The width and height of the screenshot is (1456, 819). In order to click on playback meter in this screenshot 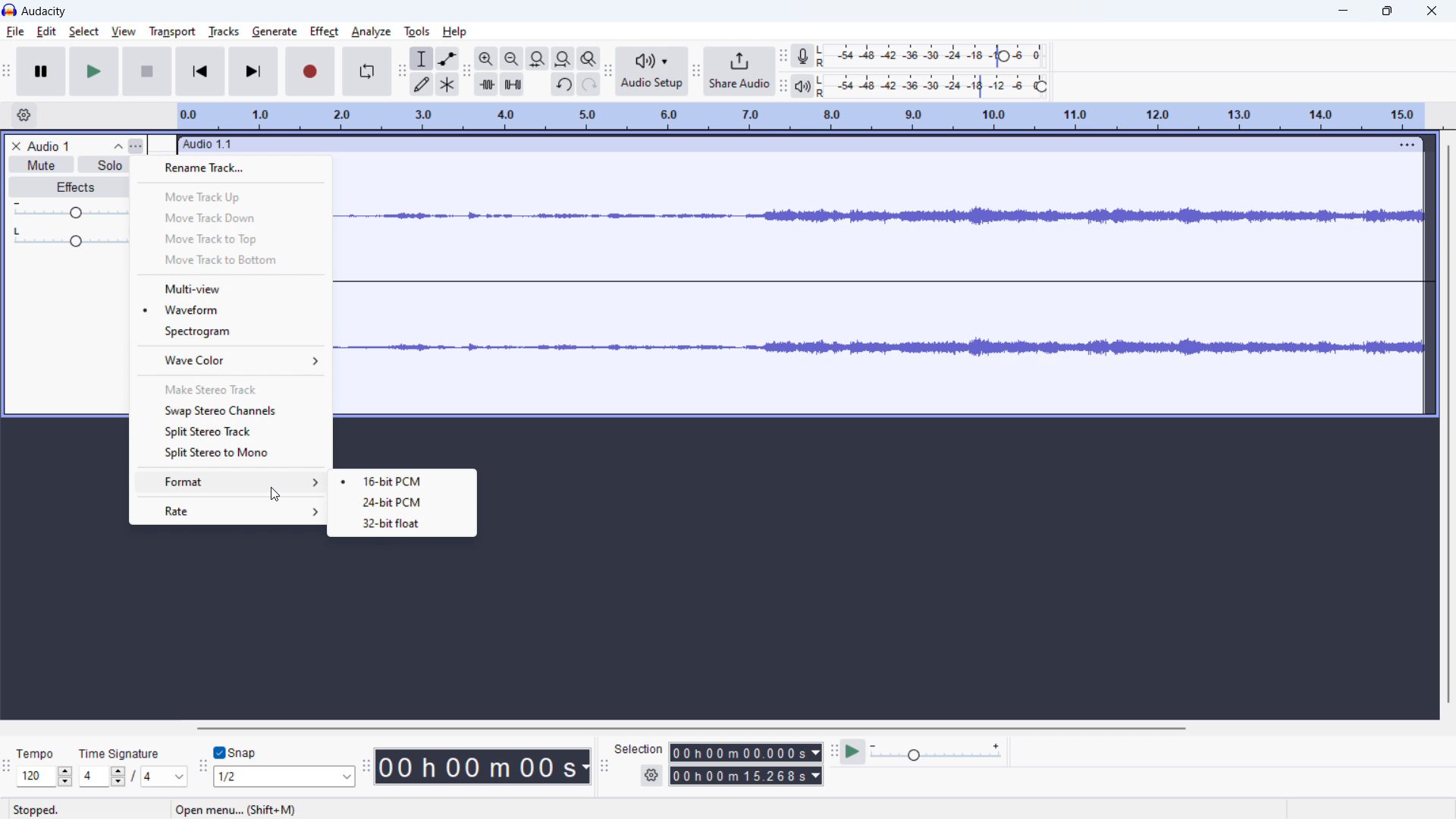, I will do `click(804, 86)`.